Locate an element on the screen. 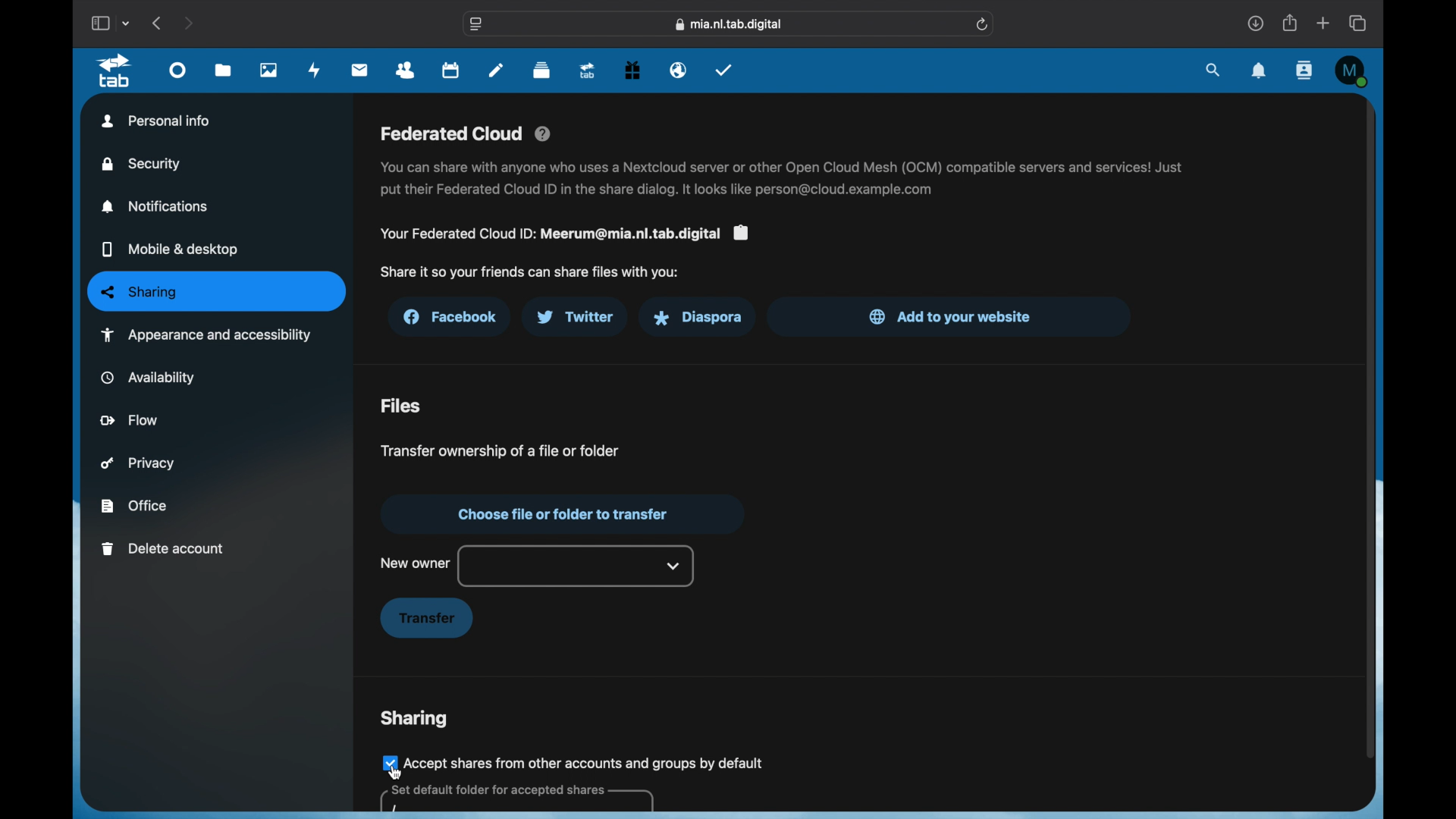  dashboard is located at coordinates (178, 74).